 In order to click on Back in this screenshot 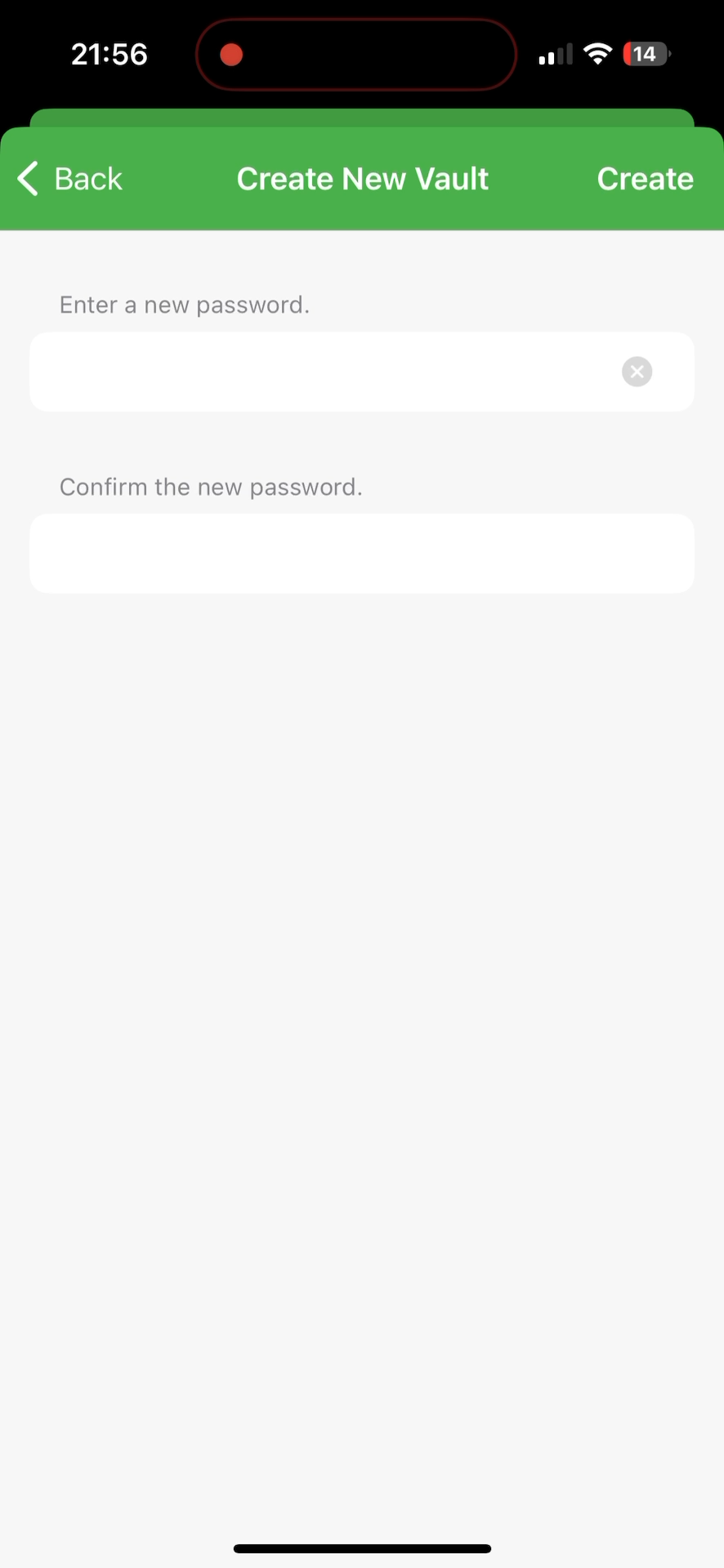, I will do `click(71, 184)`.